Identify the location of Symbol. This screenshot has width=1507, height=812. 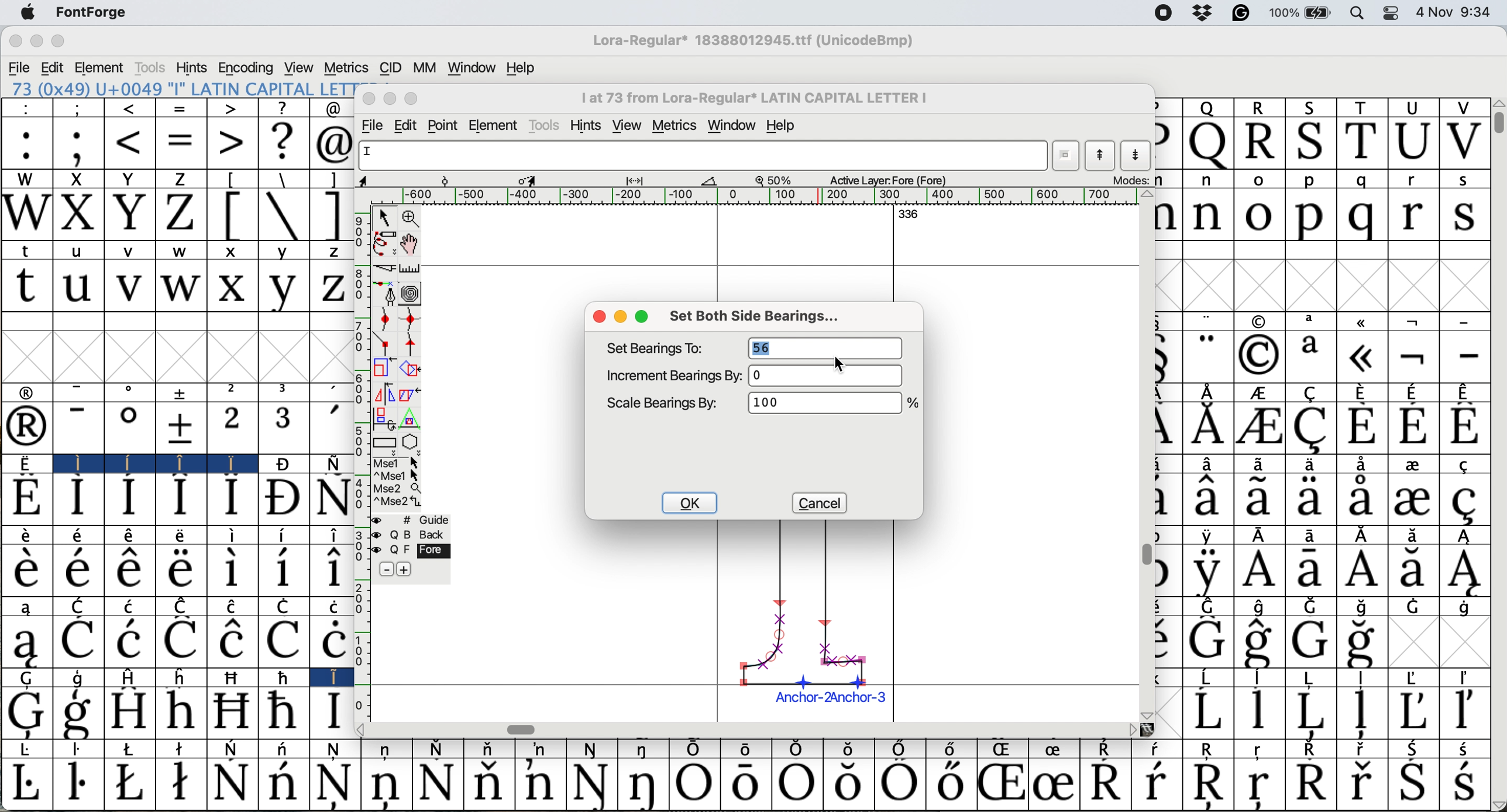
(1413, 784).